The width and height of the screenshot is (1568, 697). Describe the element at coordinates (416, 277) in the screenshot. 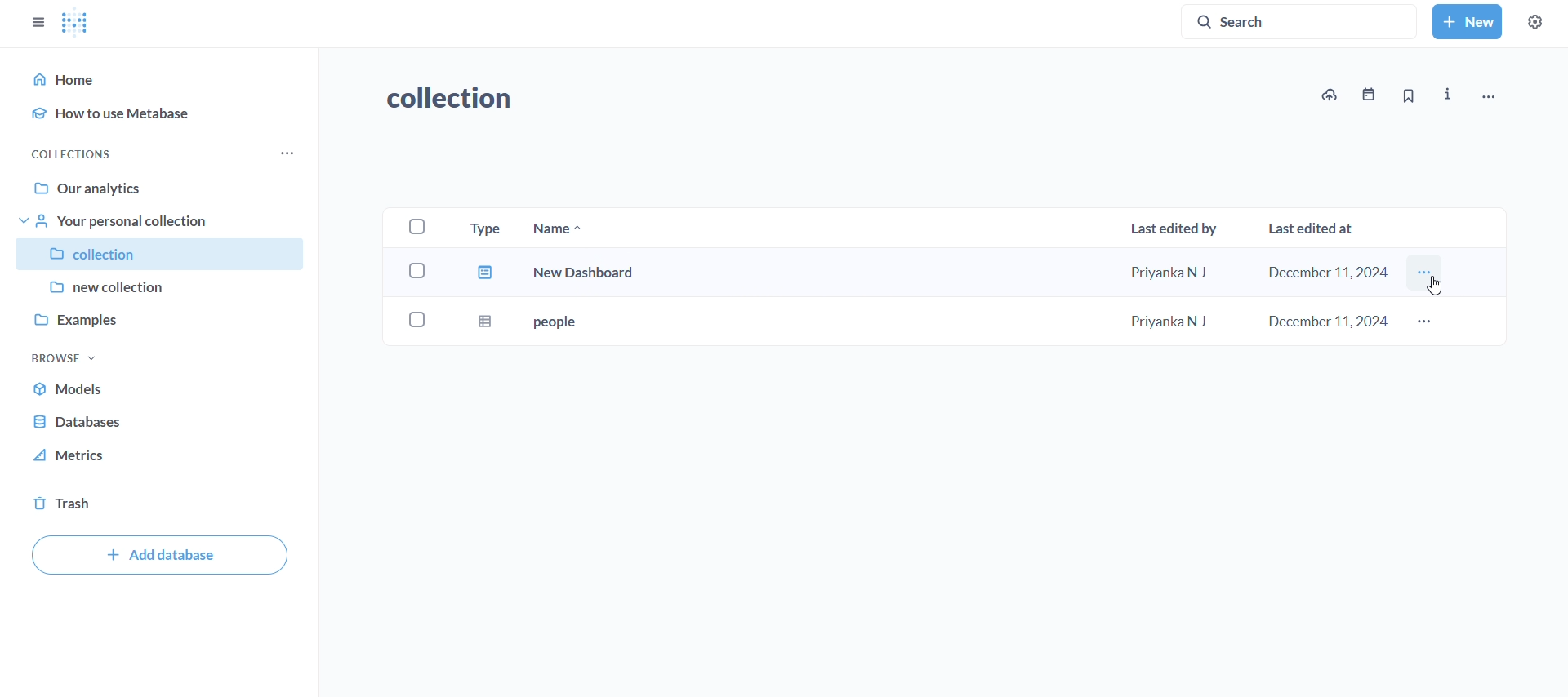

I see `checkboxes` at that location.